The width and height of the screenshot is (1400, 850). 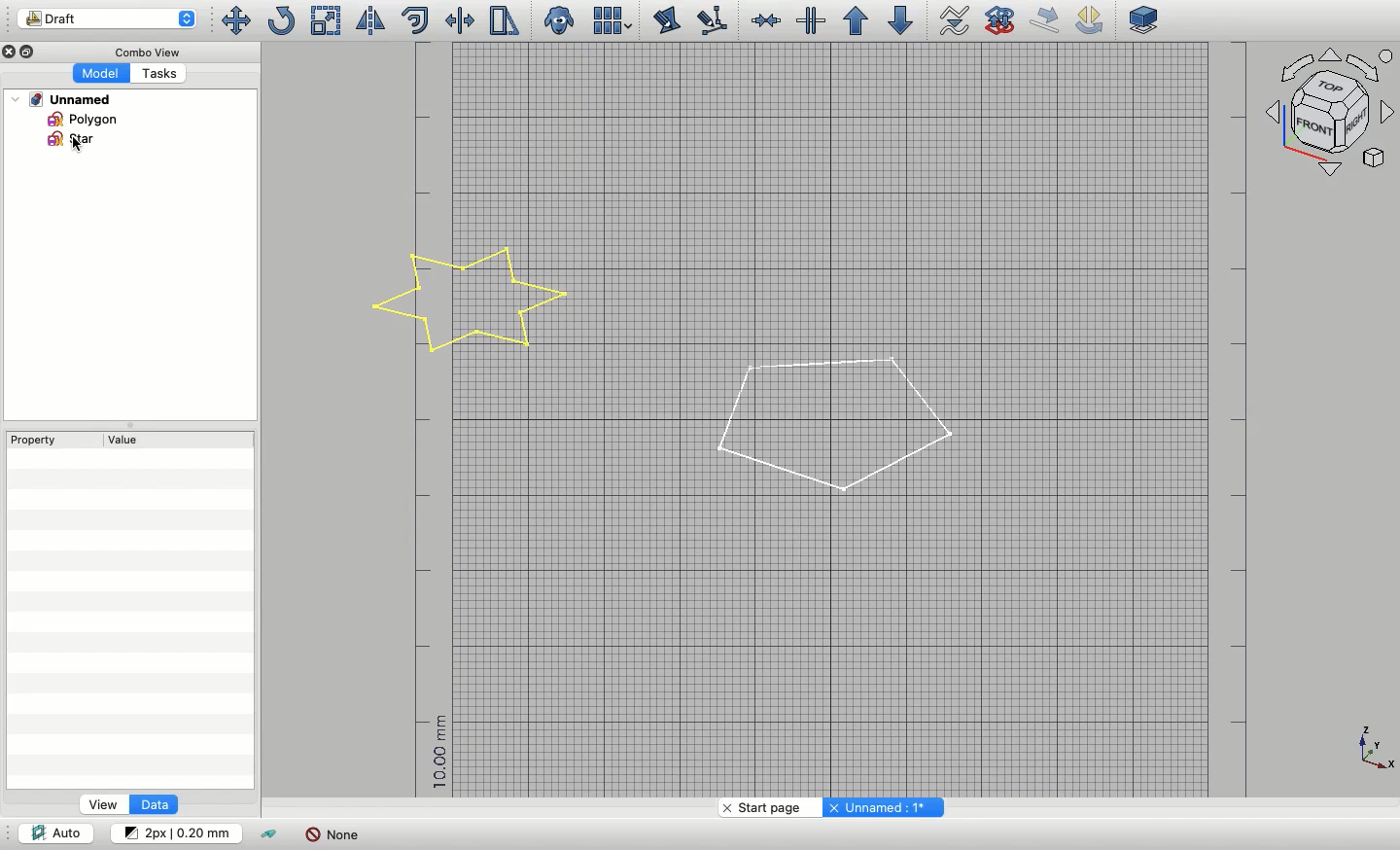 I want to click on Subelement highlight, so click(x=710, y=21).